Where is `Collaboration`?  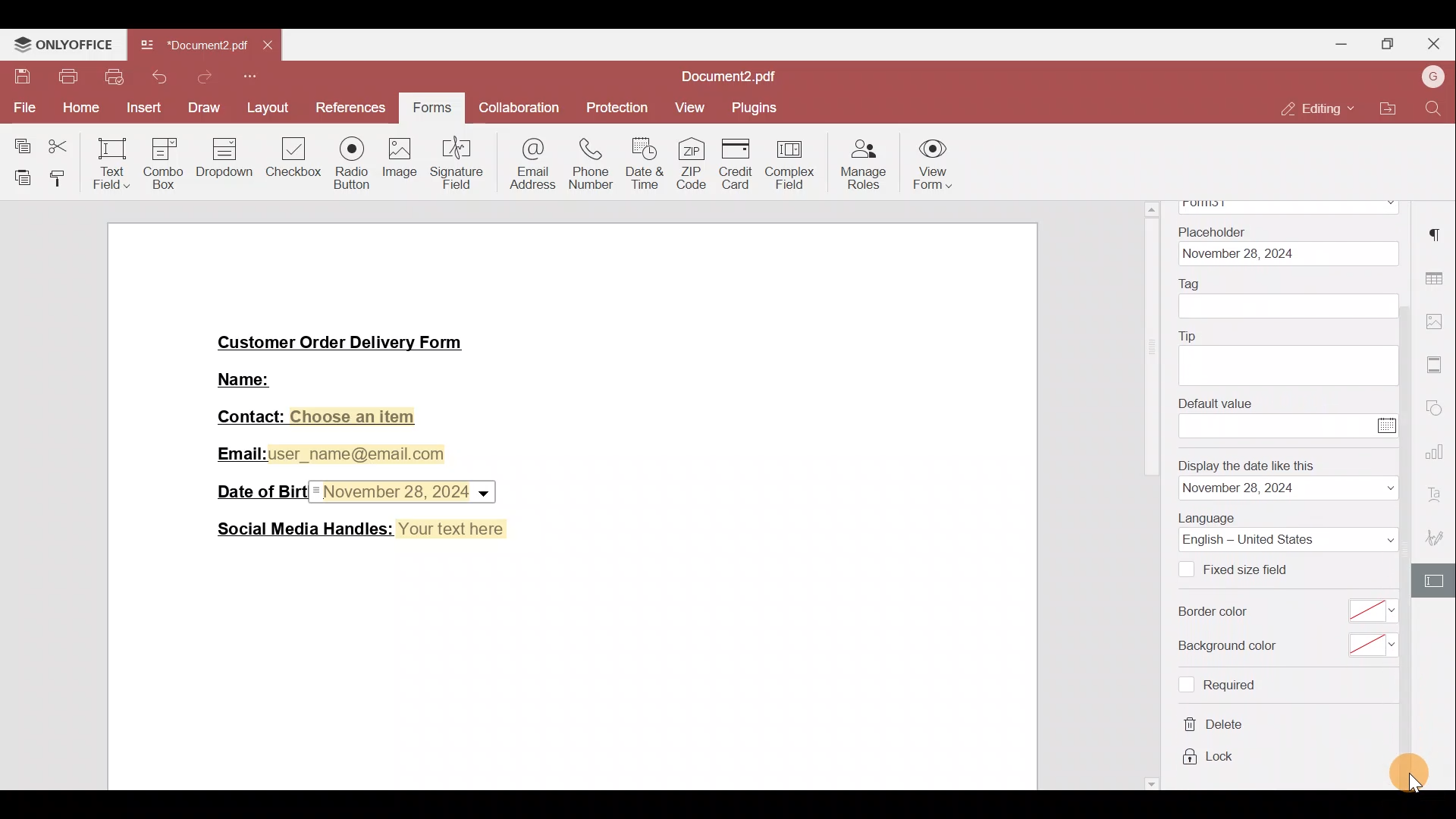 Collaboration is located at coordinates (516, 109).